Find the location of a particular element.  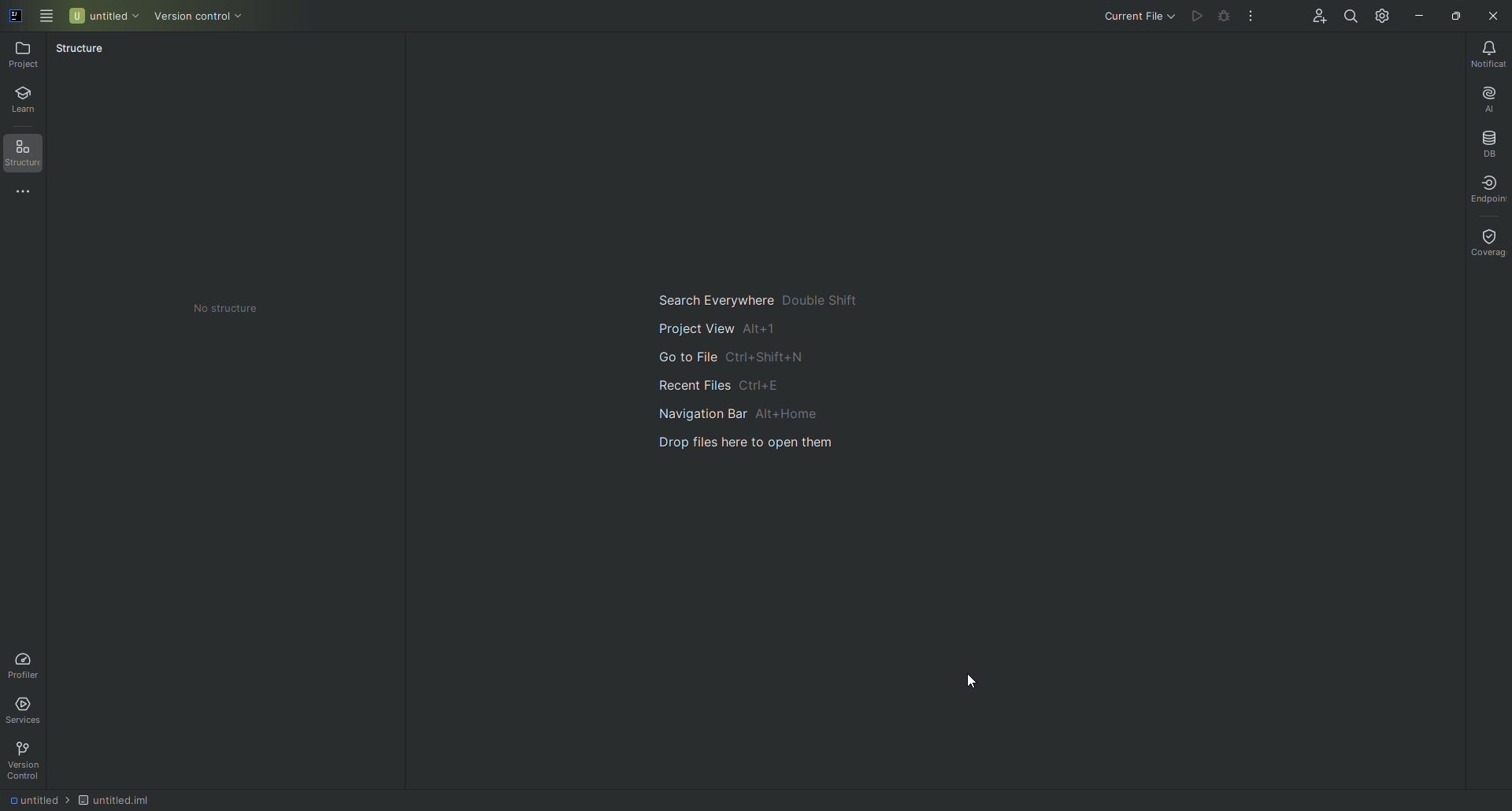

Profiler is located at coordinates (26, 664).